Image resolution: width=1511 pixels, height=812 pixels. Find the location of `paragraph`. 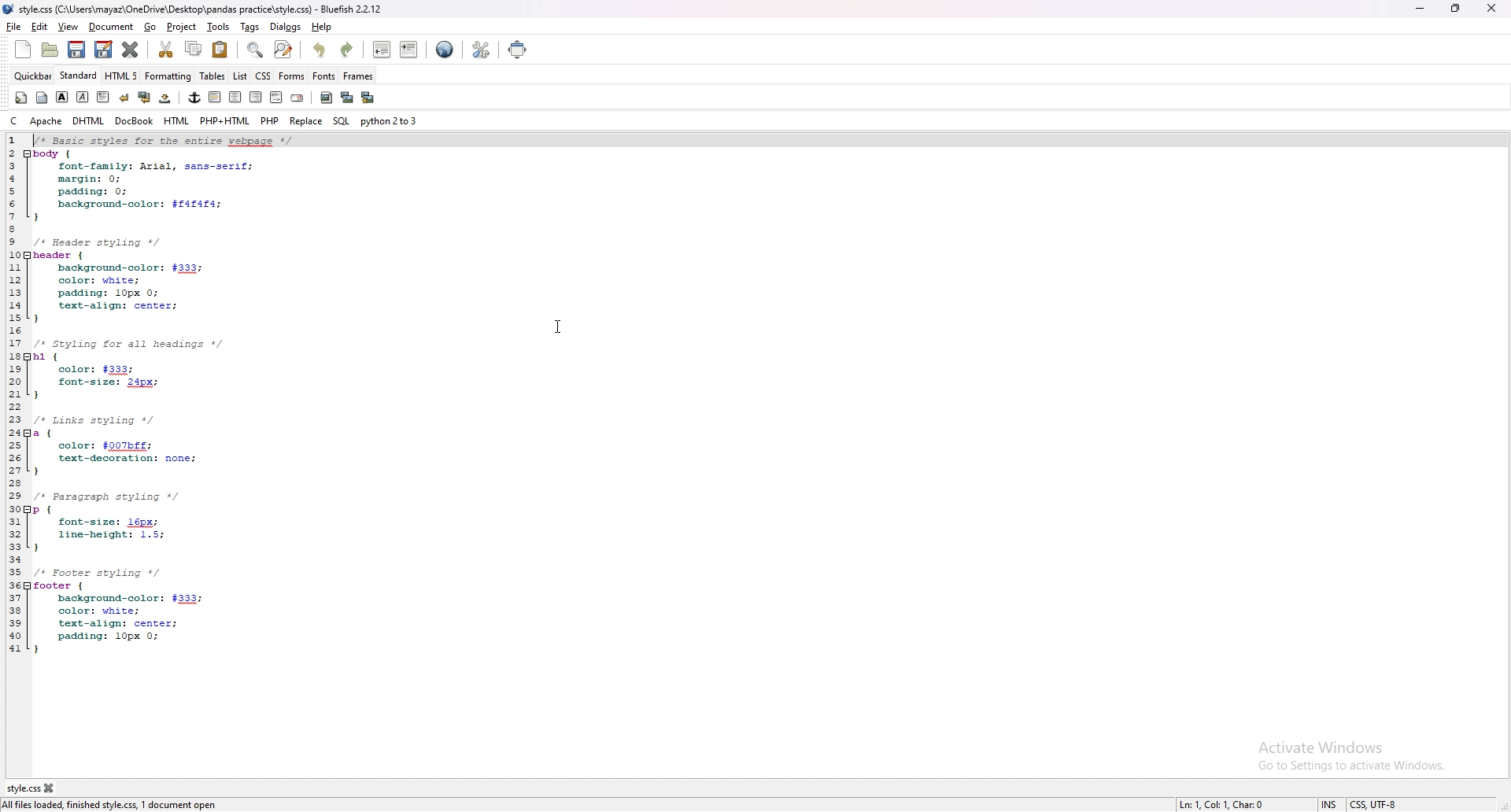

paragraph is located at coordinates (103, 98).